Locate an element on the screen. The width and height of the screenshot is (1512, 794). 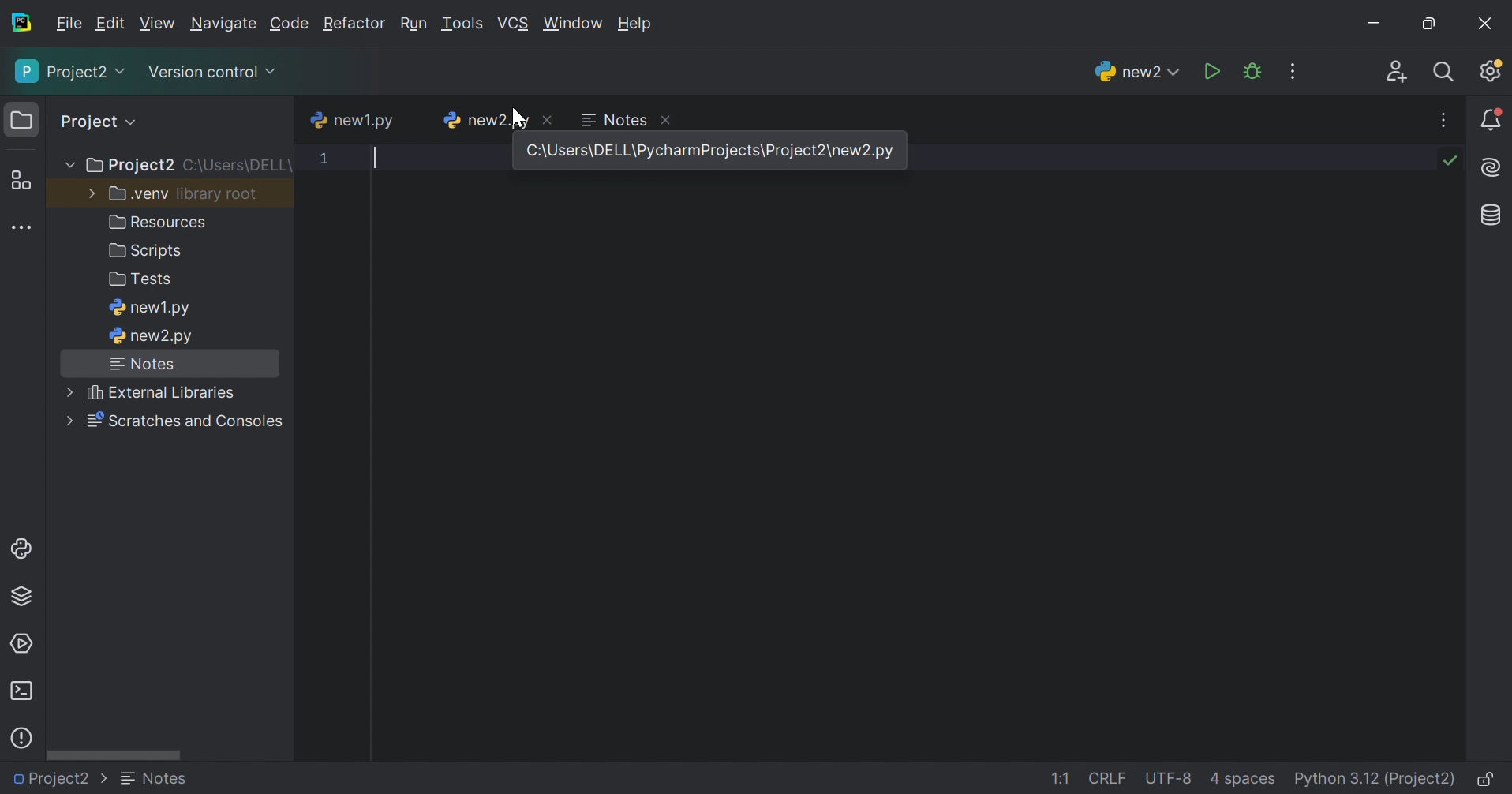
new1.py is located at coordinates (152, 309).